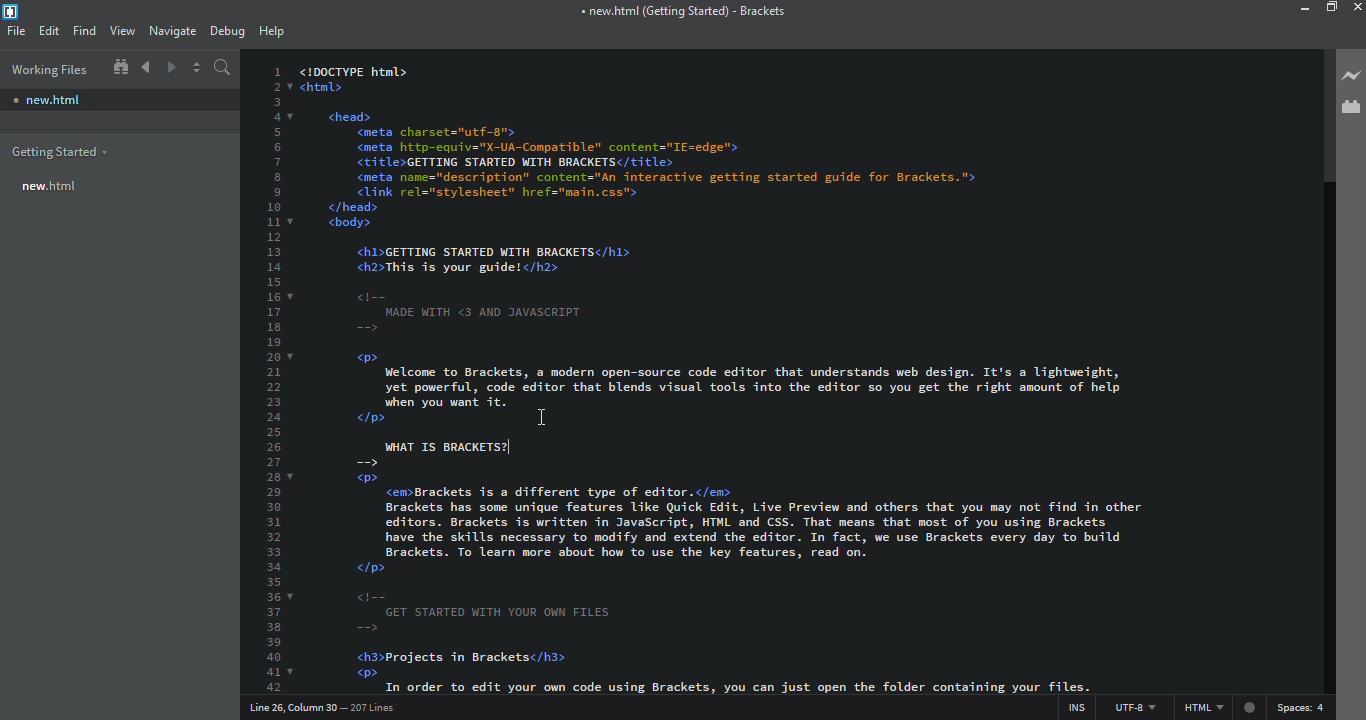 The height and width of the screenshot is (720, 1366). Describe the element at coordinates (62, 149) in the screenshot. I see `getting started` at that location.